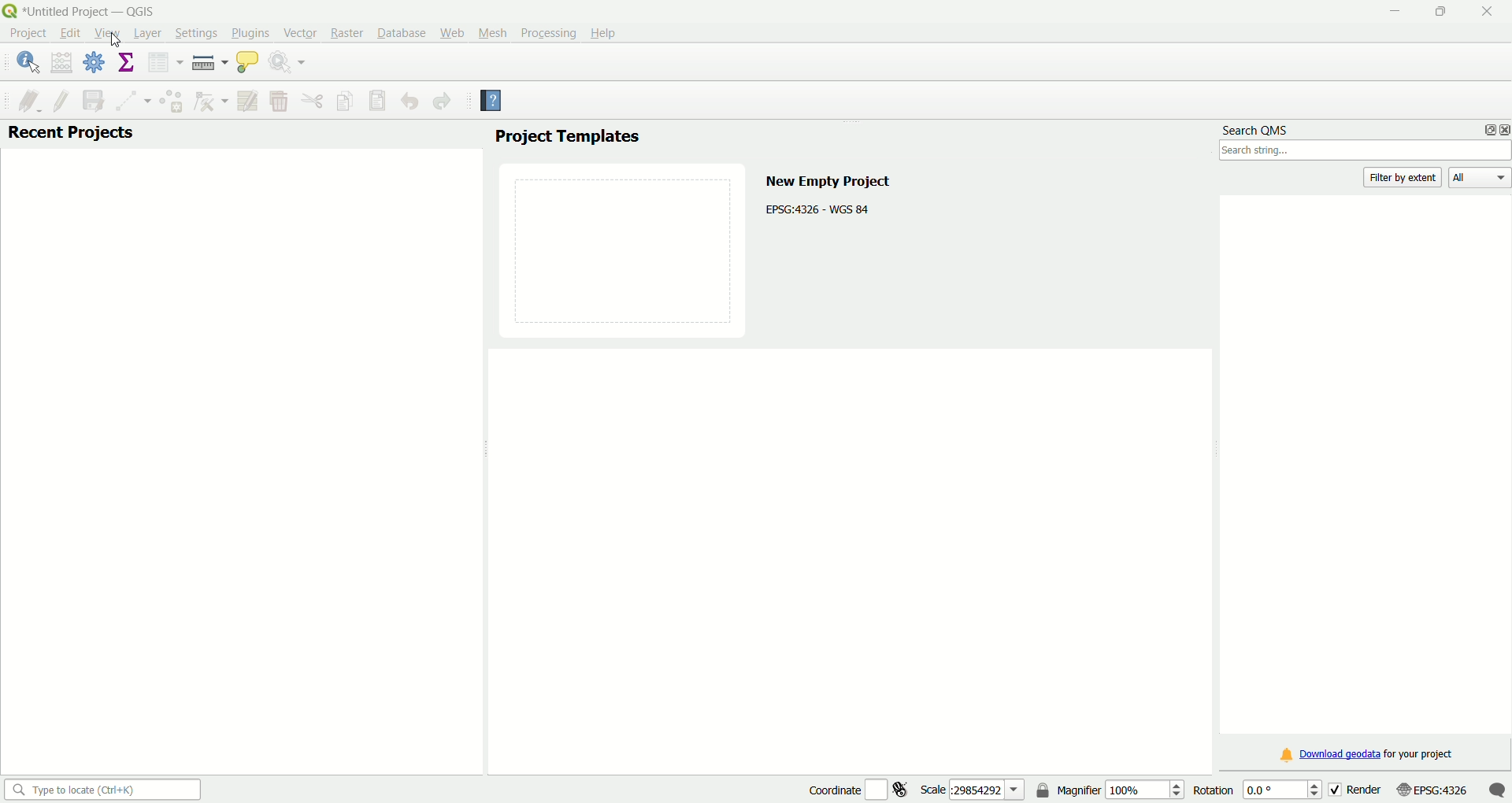 Image resolution: width=1512 pixels, height=803 pixels. Describe the element at coordinates (443, 102) in the screenshot. I see `redo` at that location.